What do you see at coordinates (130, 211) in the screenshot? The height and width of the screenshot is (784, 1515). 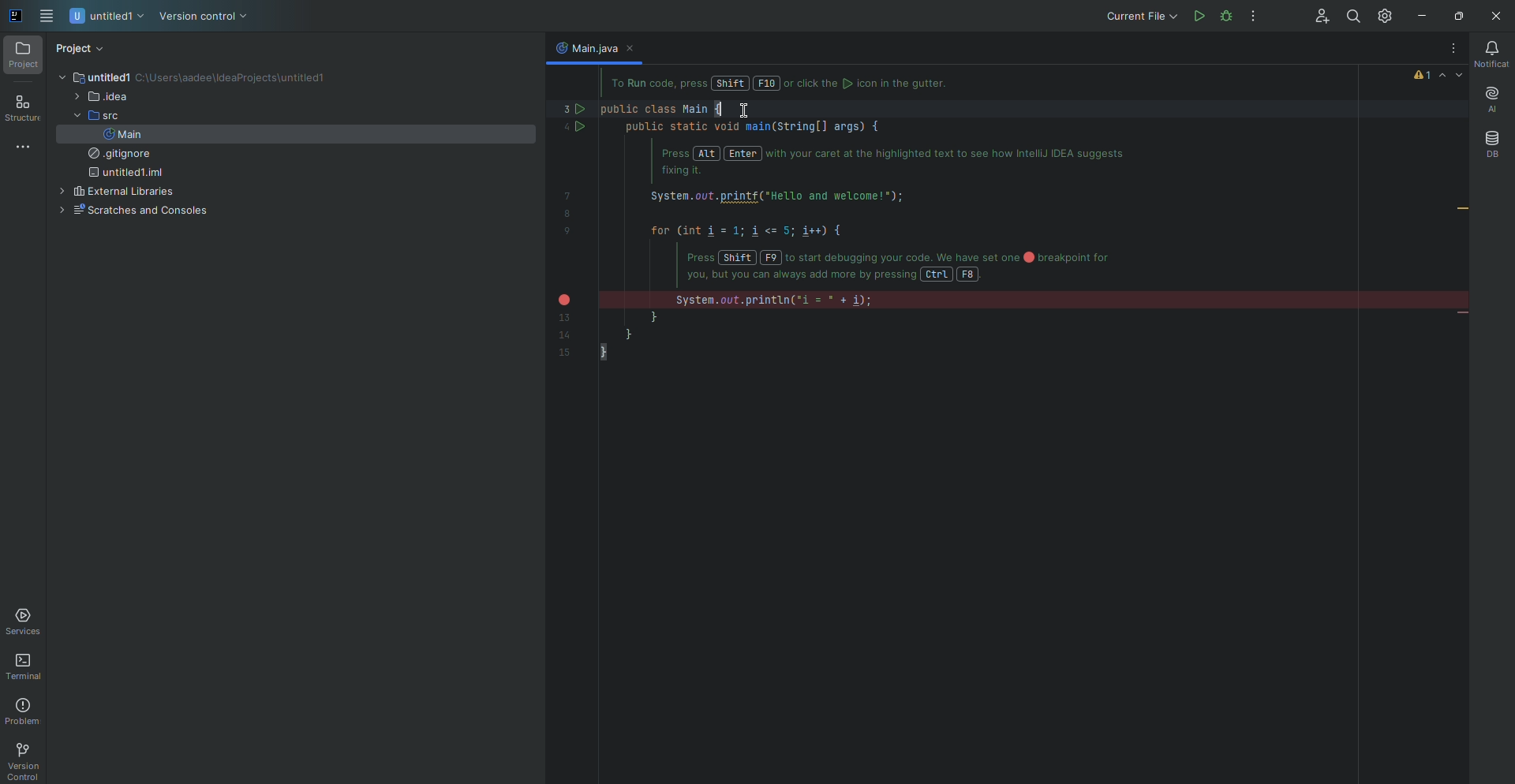 I see `Scratches and Consoles` at bounding box center [130, 211].